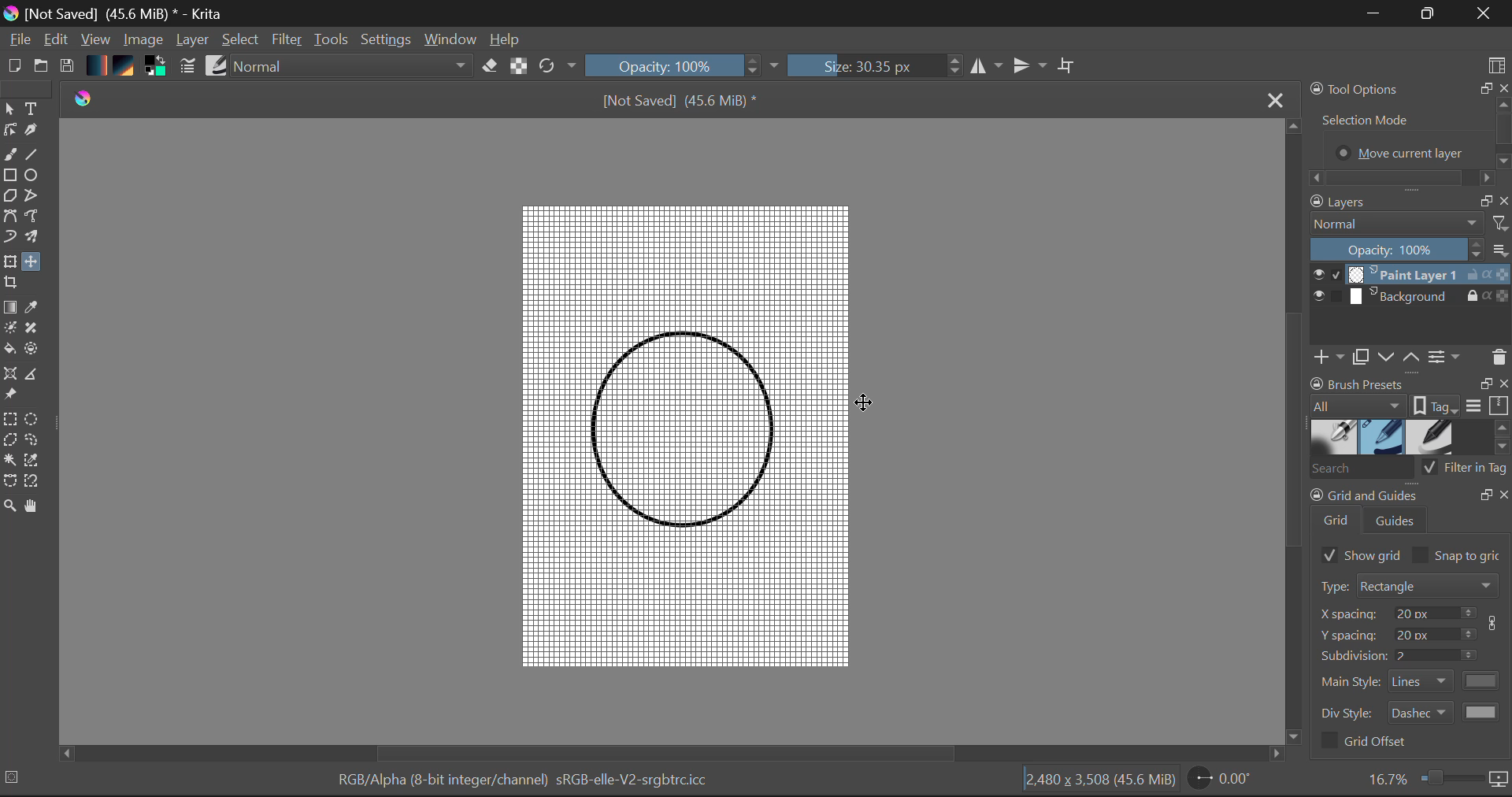 The width and height of the screenshot is (1512, 797). I want to click on Horizontal Mirror Flip, so click(1032, 65).